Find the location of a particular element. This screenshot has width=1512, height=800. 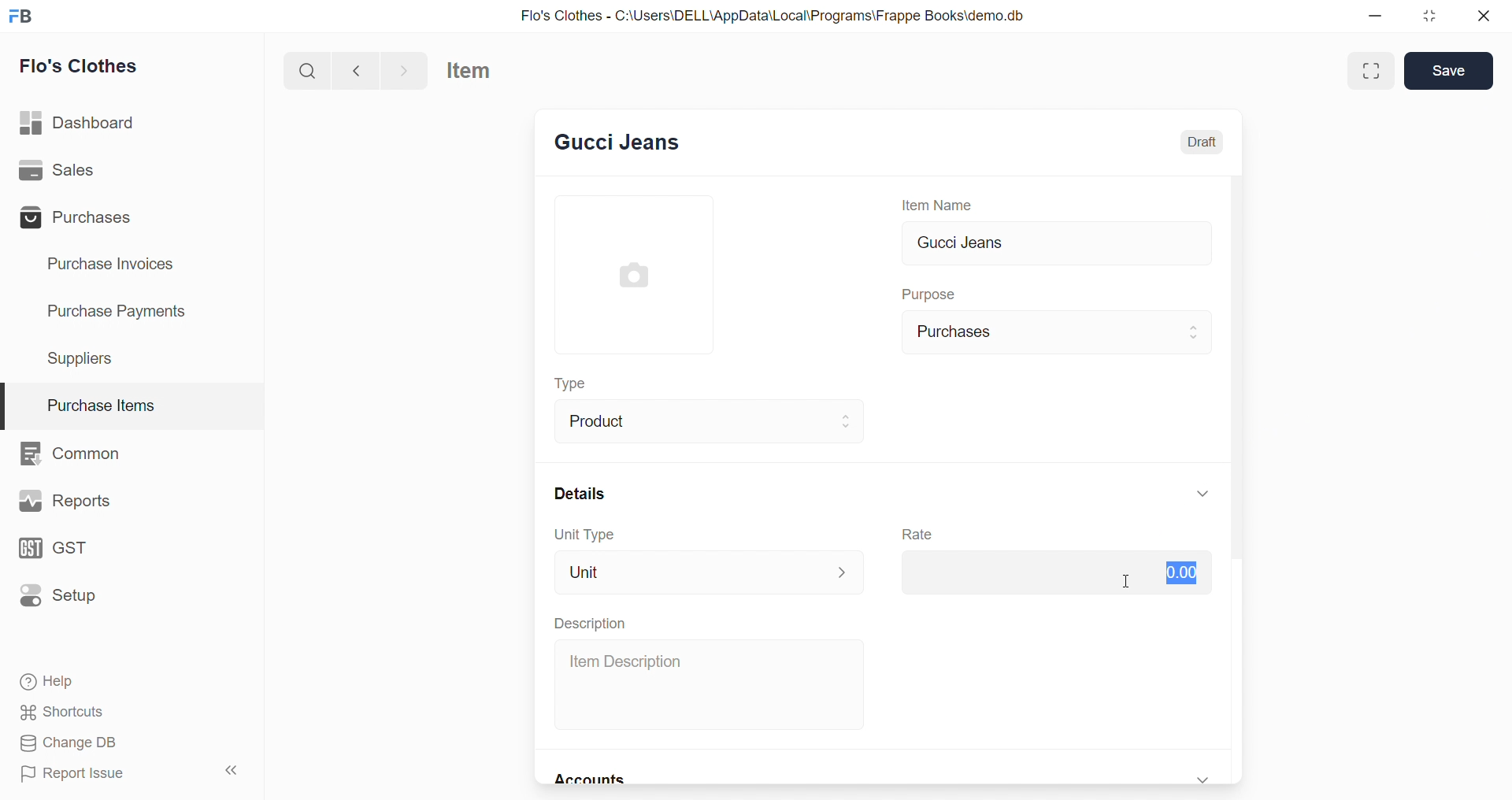

minimize is located at coordinates (1381, 16).